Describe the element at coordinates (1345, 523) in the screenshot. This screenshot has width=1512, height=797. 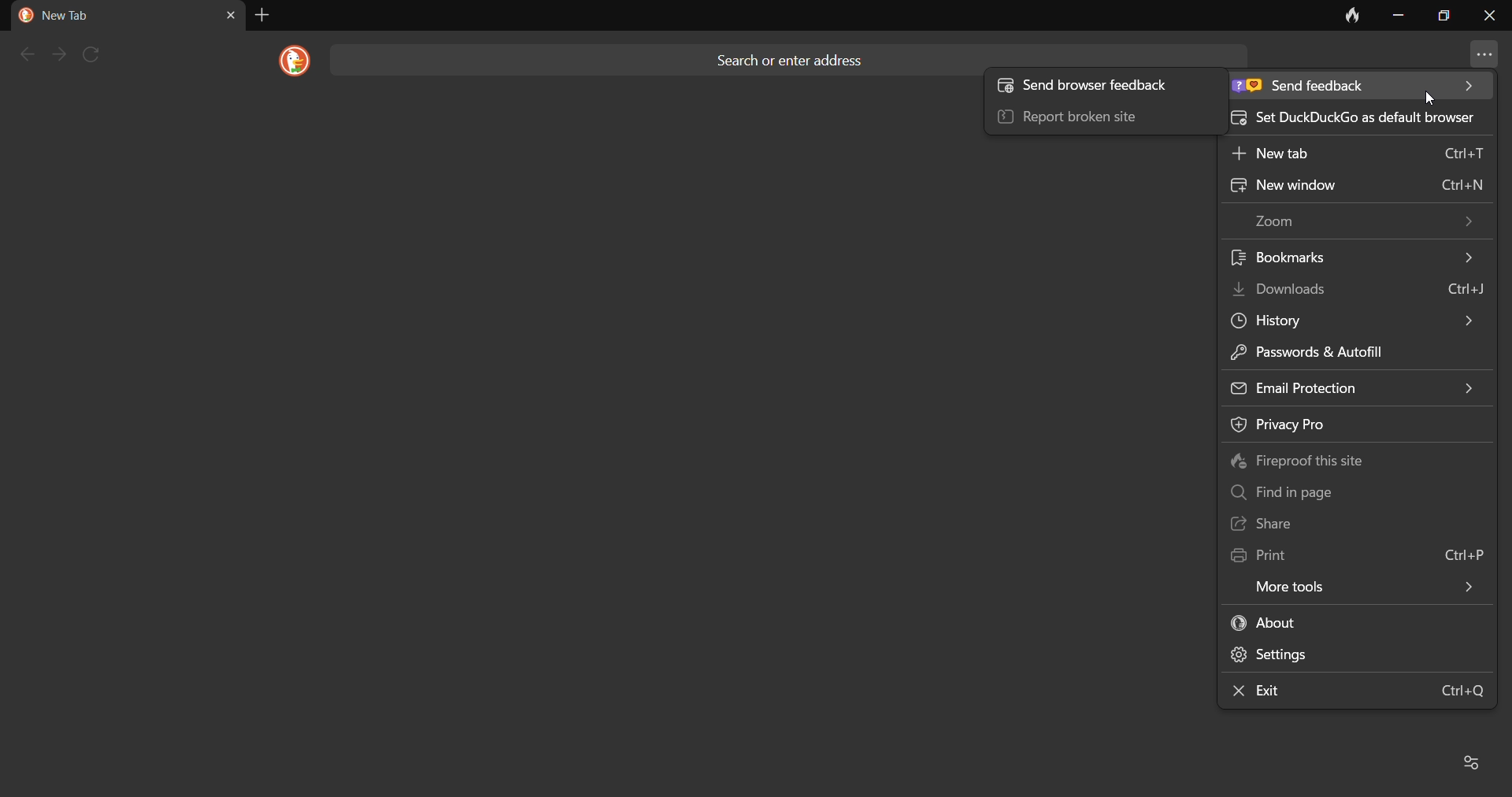
I see `share` at that location.